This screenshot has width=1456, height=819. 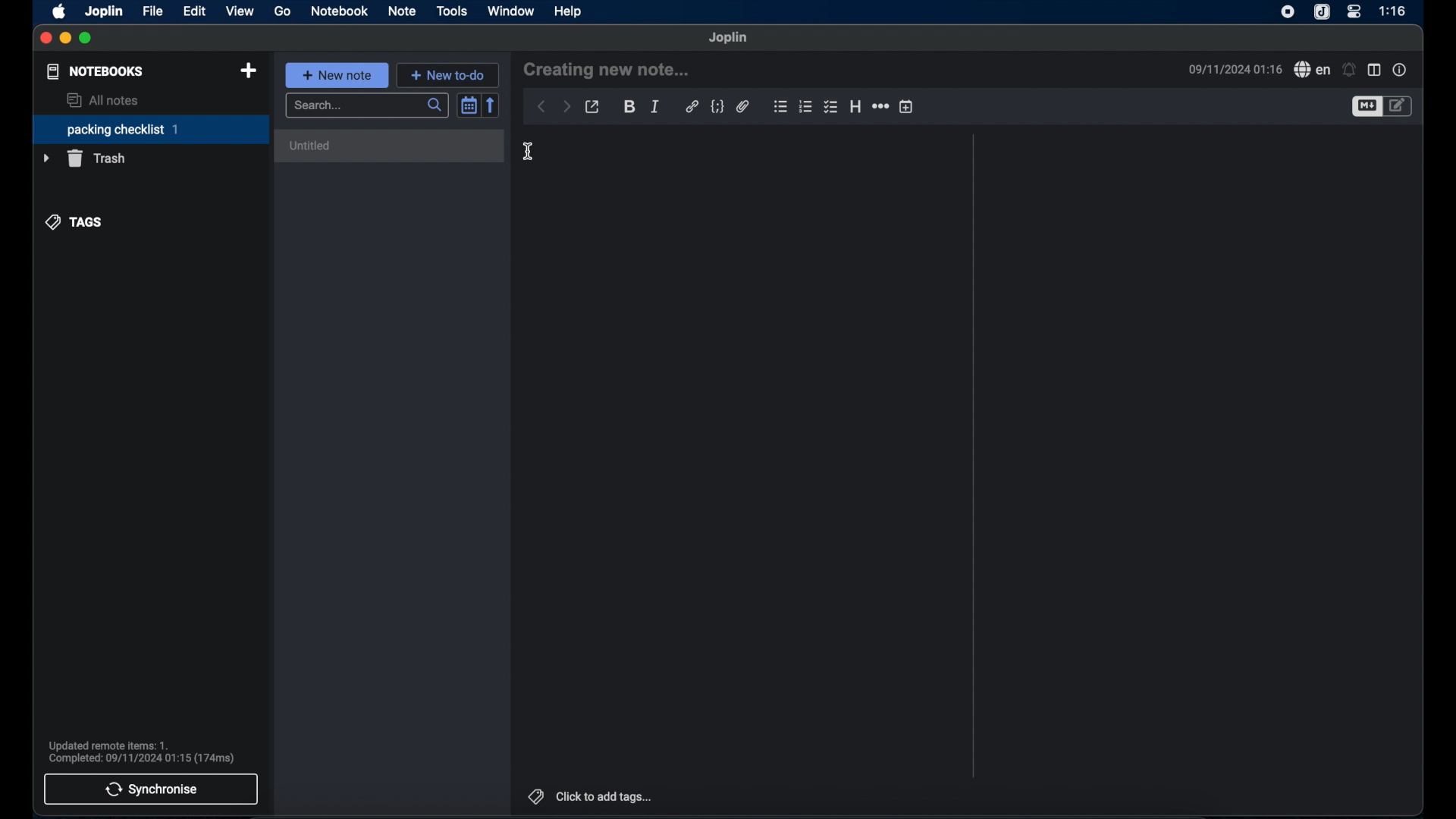 What do you see at coordinates (392, 146) in the screenshot?
I see `untitled` at bounding box center [392, 146].